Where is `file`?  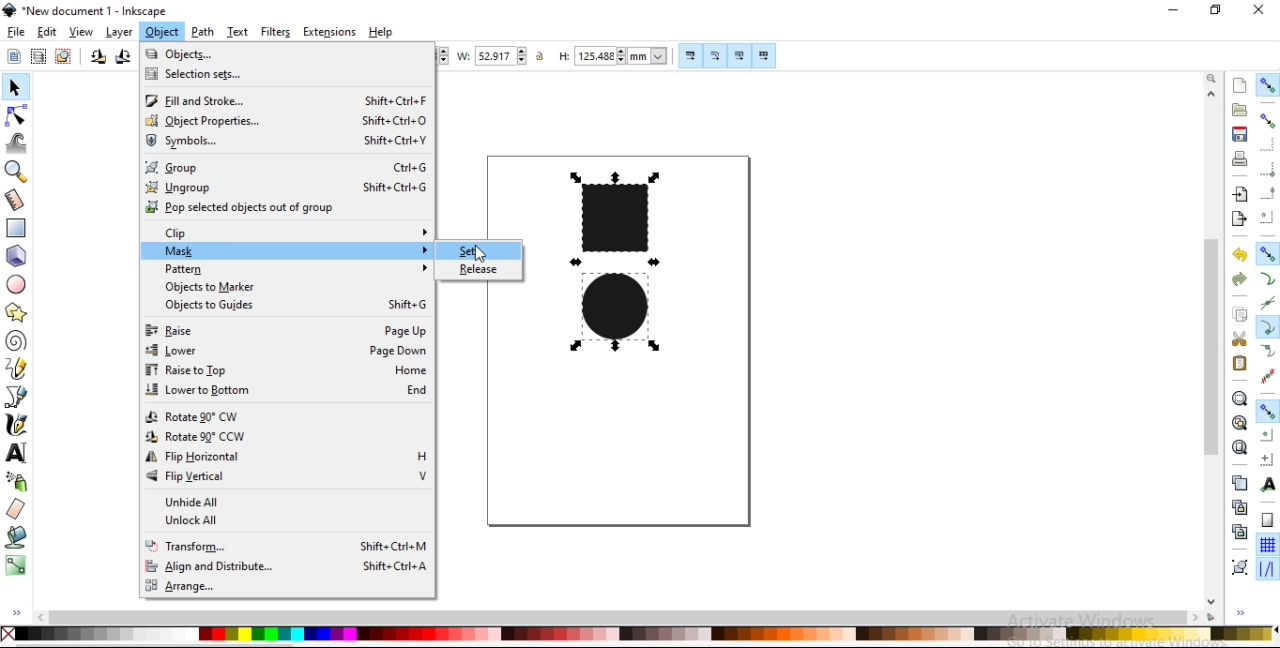
file is located at coordinates (17, 32).